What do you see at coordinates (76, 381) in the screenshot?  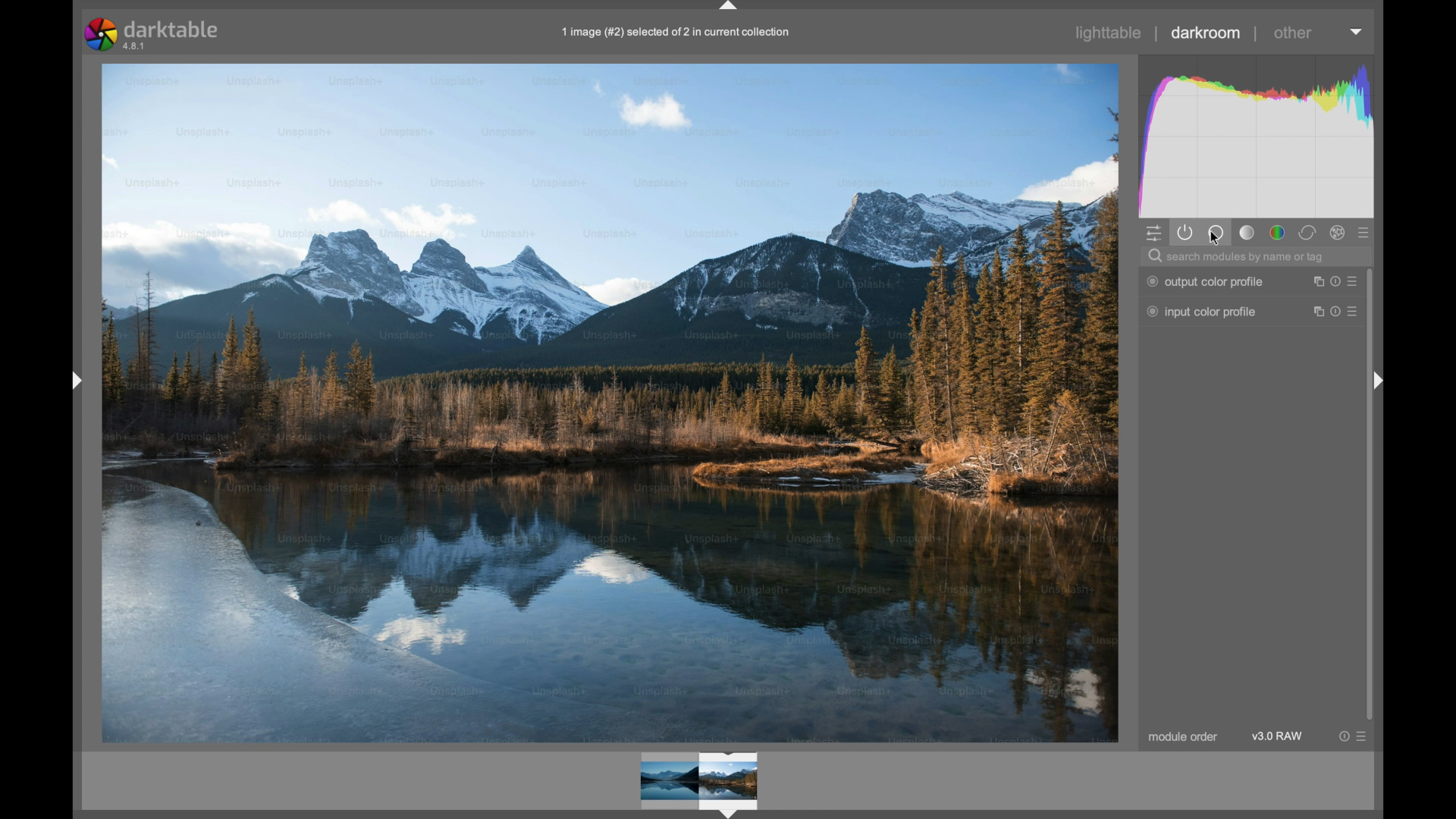 I see `drag handle` at bounding box center [76, 381].